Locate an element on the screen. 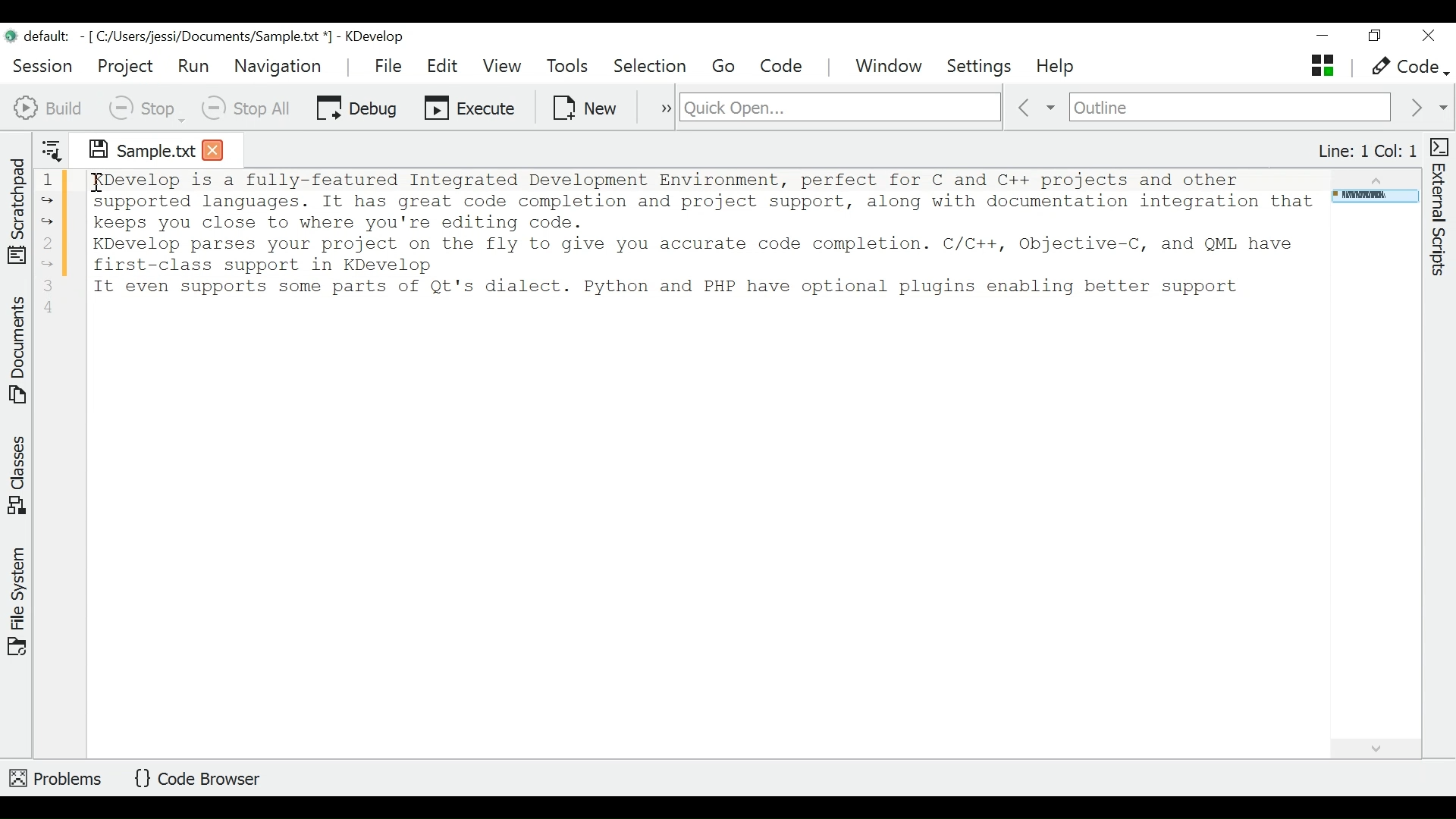  Edit is located at coordinates (444, 66).